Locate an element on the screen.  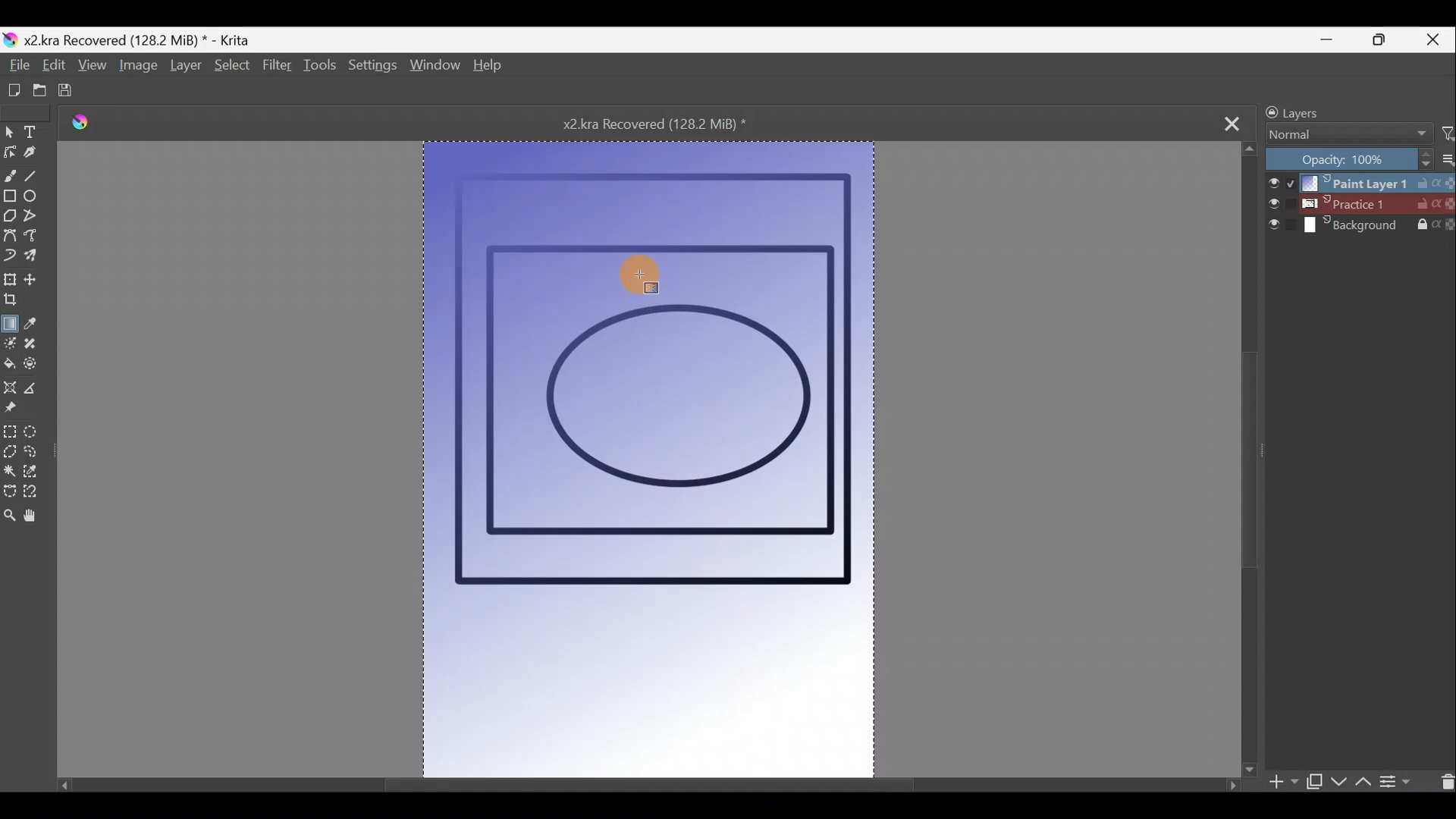
Calligraphy is located at coordinates (30, 157).